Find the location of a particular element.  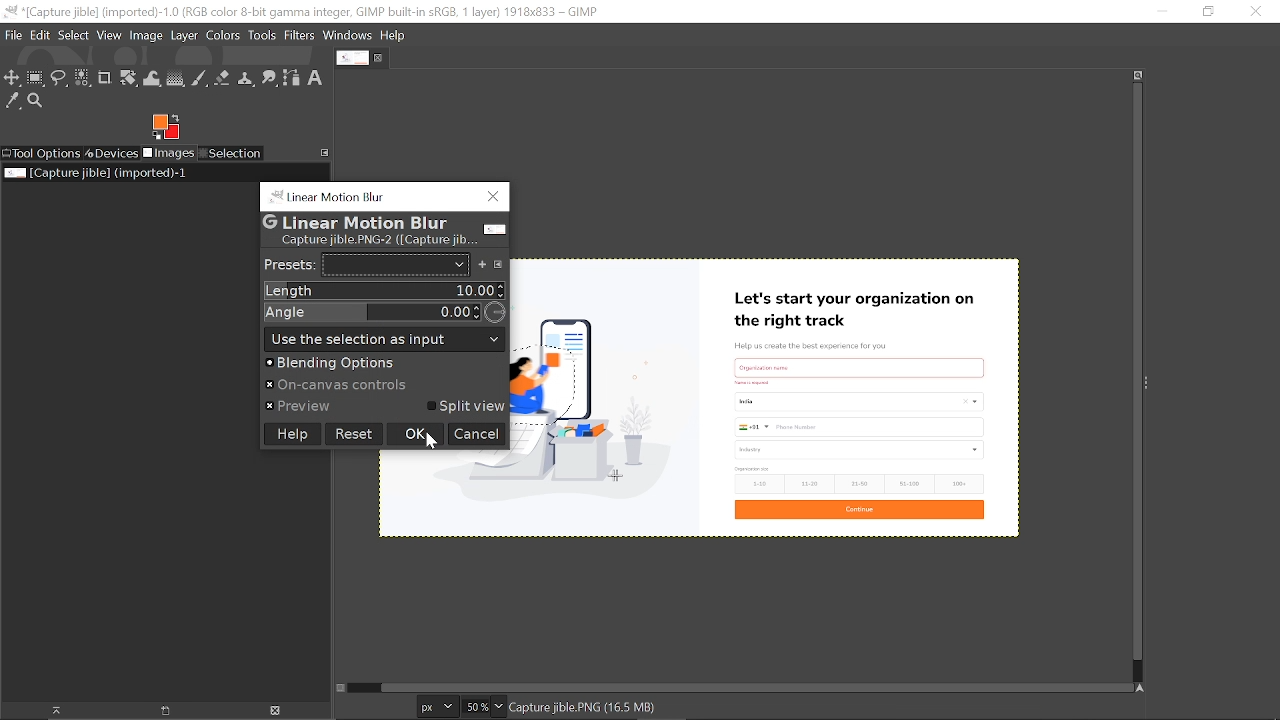

« Preview is located at coordinates (300, 407).